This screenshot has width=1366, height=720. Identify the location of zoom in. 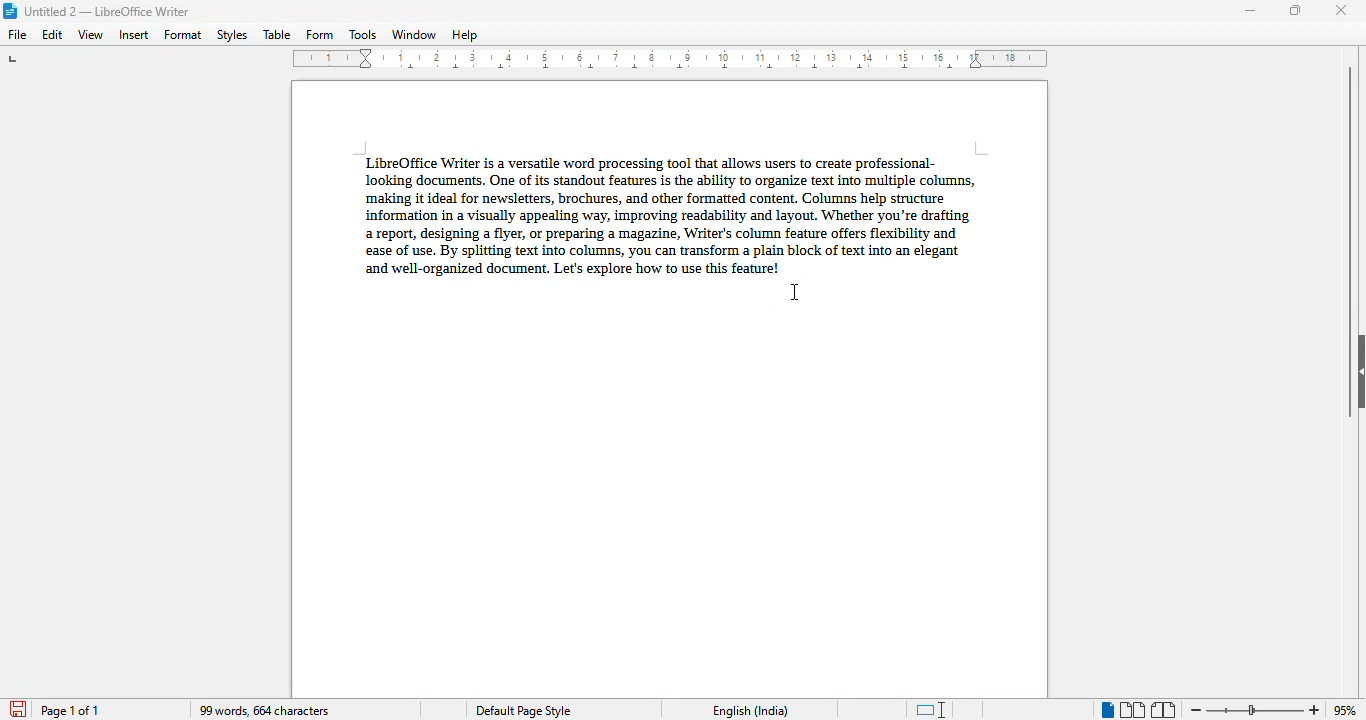
(1315, 709).